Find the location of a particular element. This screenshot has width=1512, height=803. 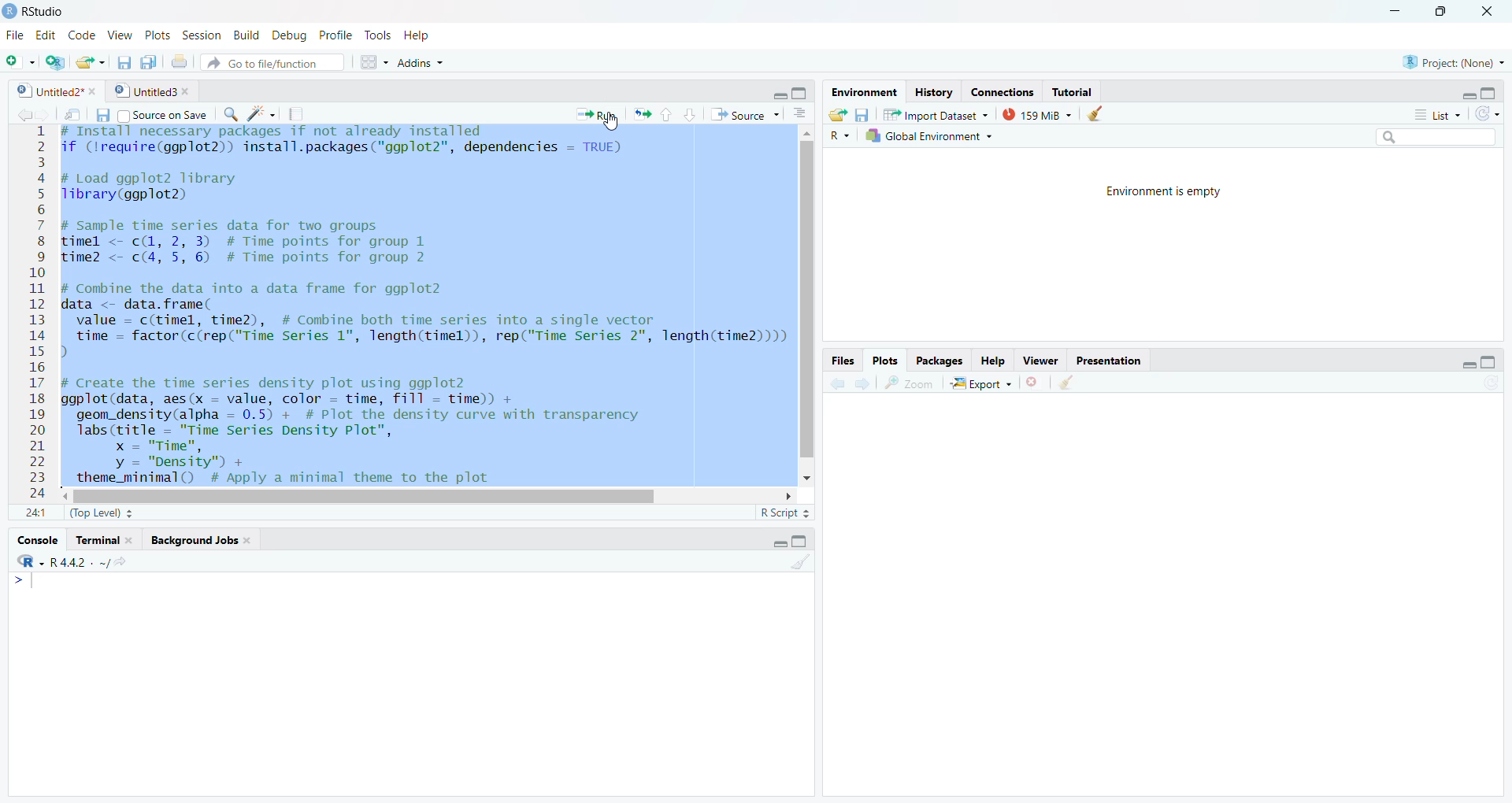

Files is located at coordinates (843, 361).